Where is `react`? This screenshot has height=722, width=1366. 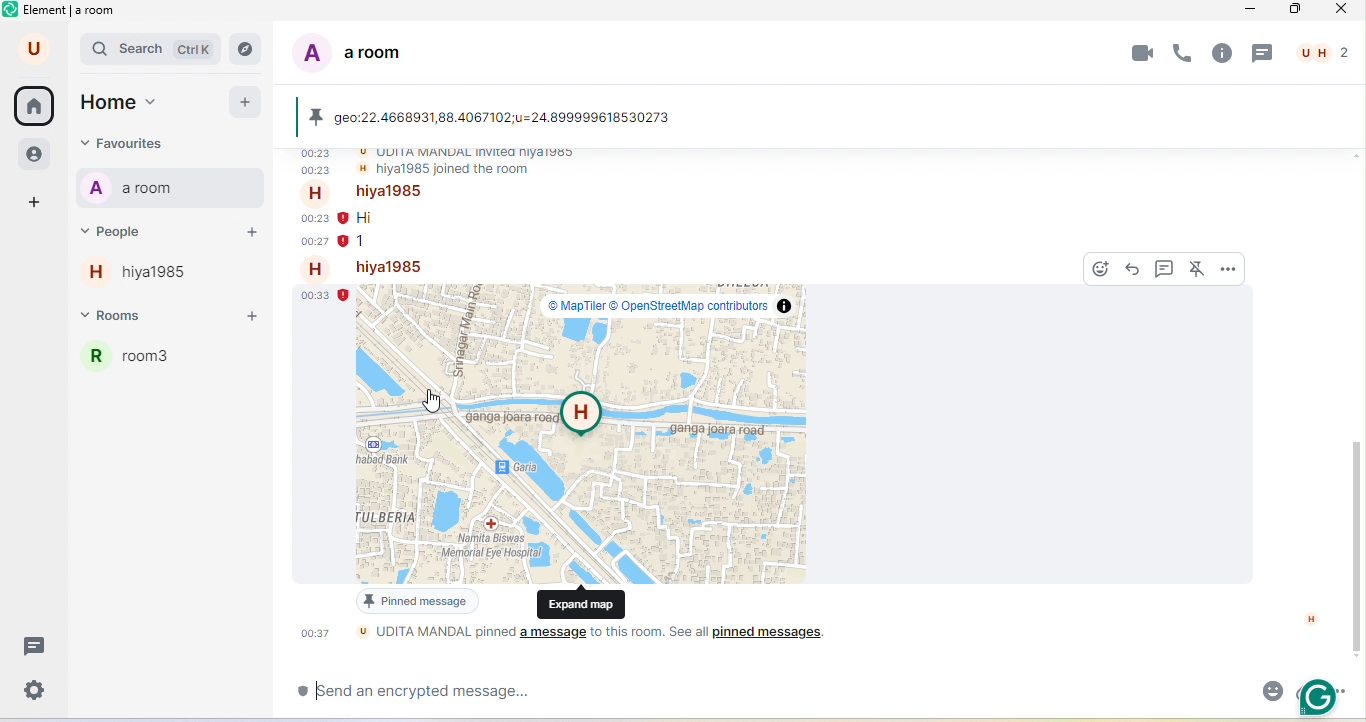 react is located at coordinates (1103, 268).